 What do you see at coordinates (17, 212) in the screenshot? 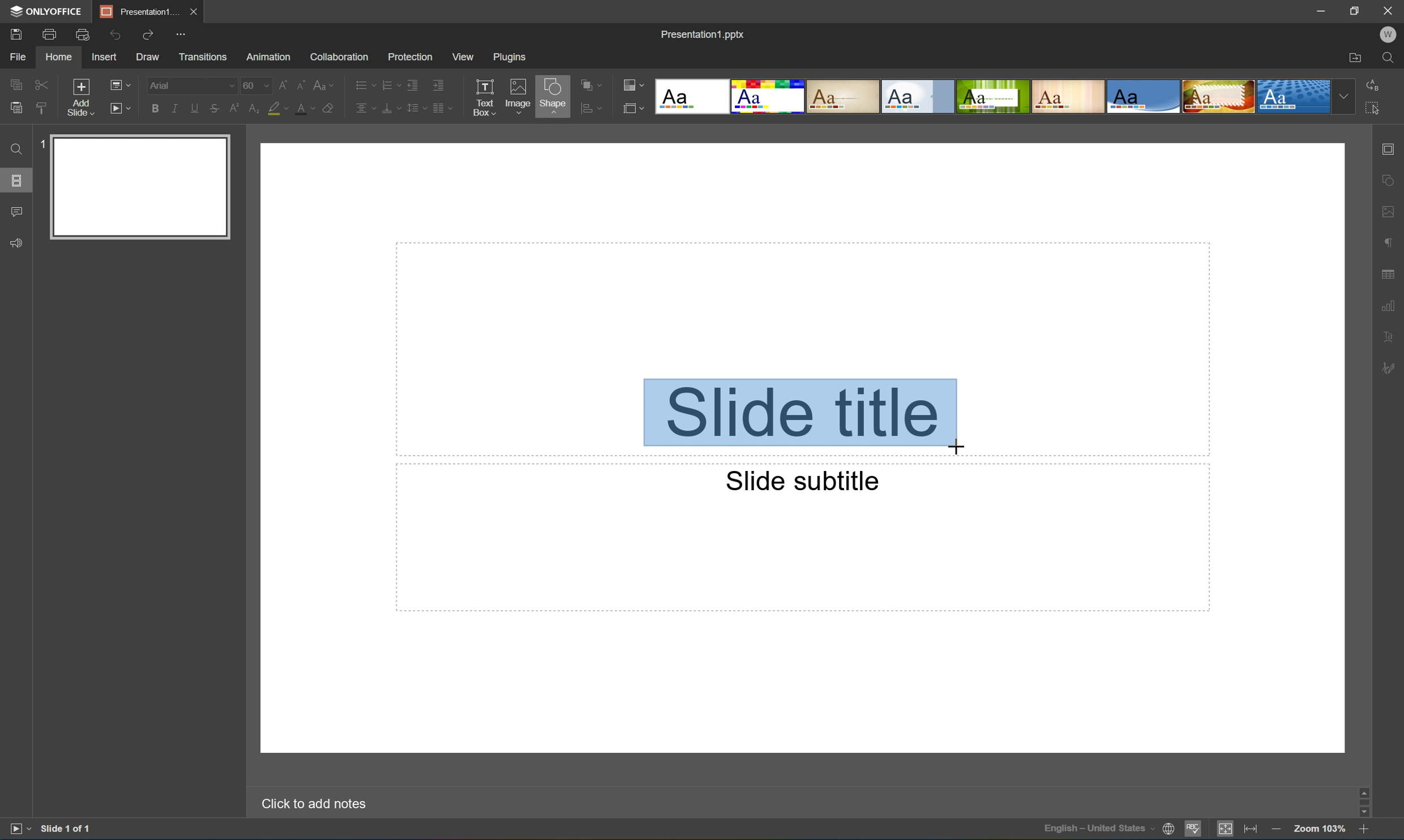
I see `Comments` at bounding box center [17, 212].